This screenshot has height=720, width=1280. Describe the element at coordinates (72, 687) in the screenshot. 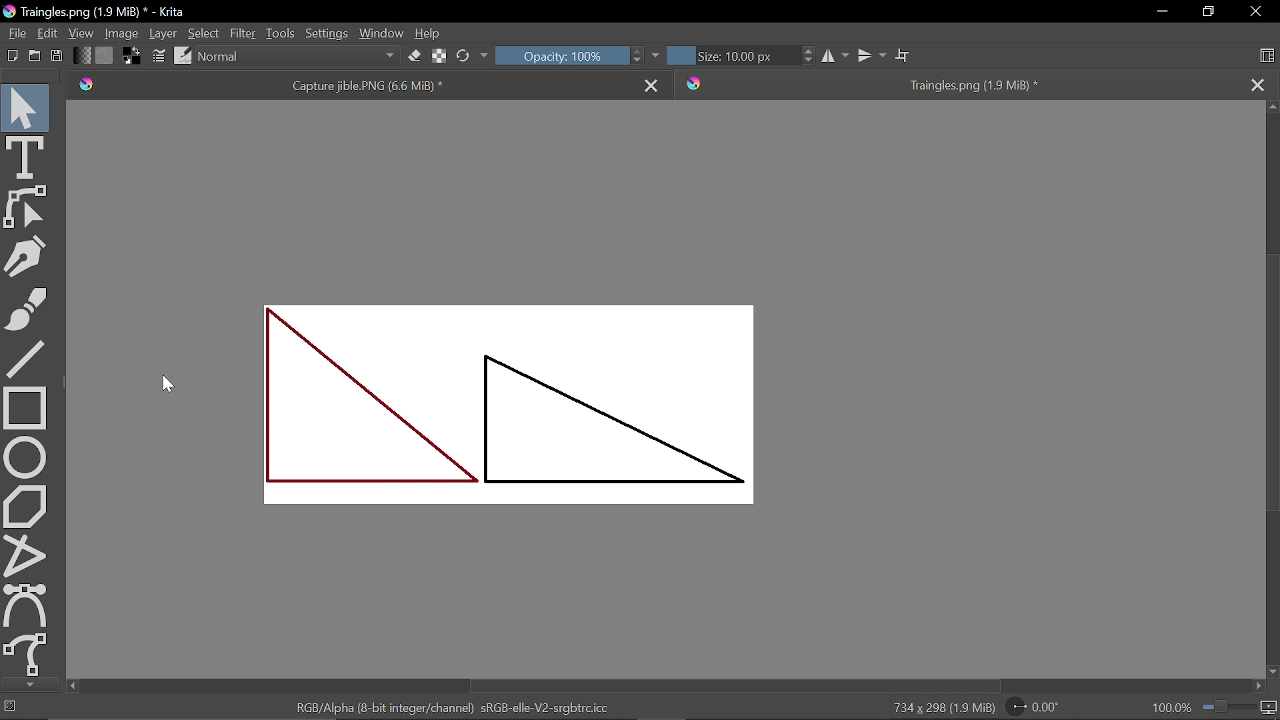

I see `Move left` at that location.